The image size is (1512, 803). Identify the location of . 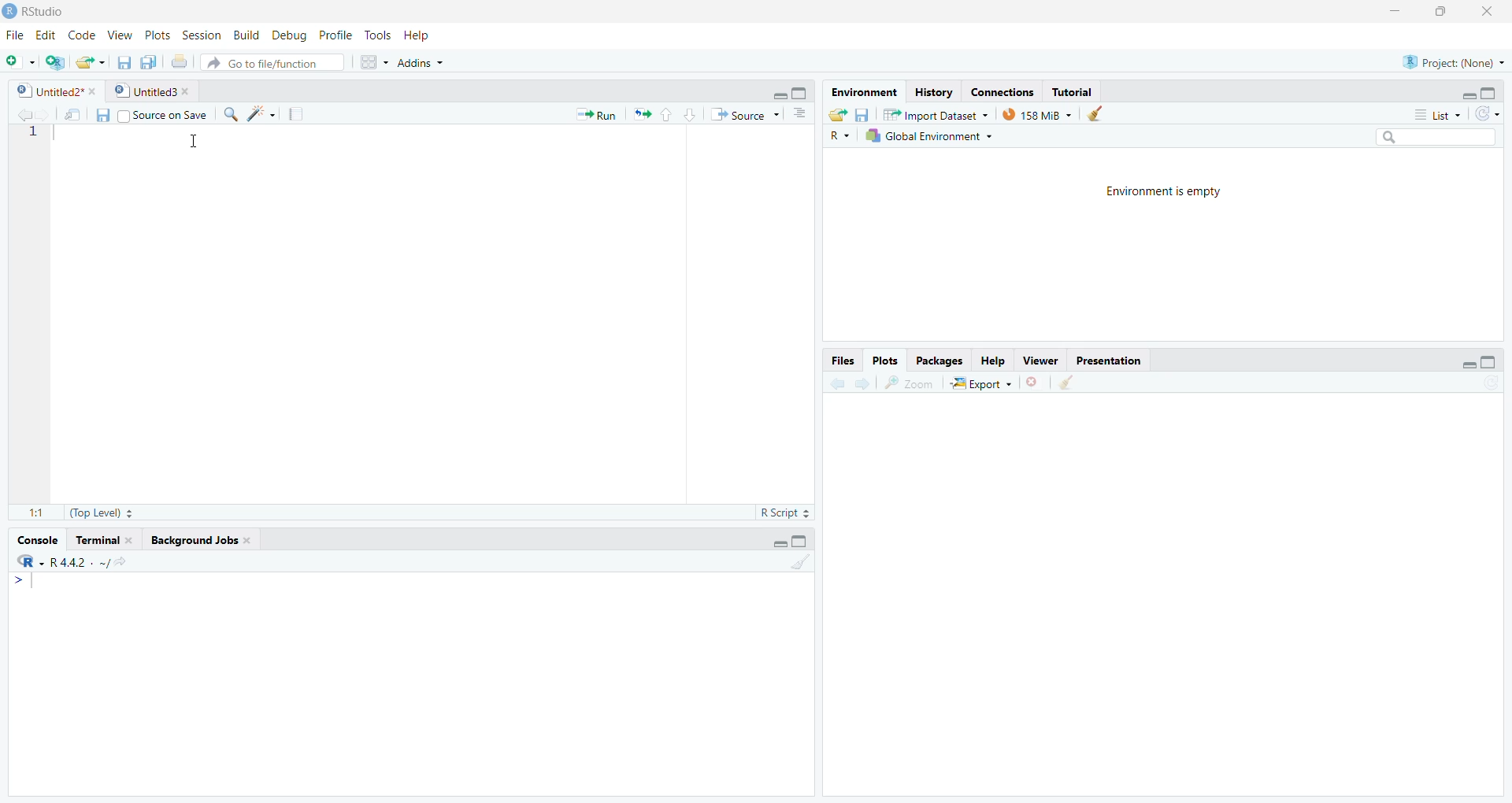
(100, 116).